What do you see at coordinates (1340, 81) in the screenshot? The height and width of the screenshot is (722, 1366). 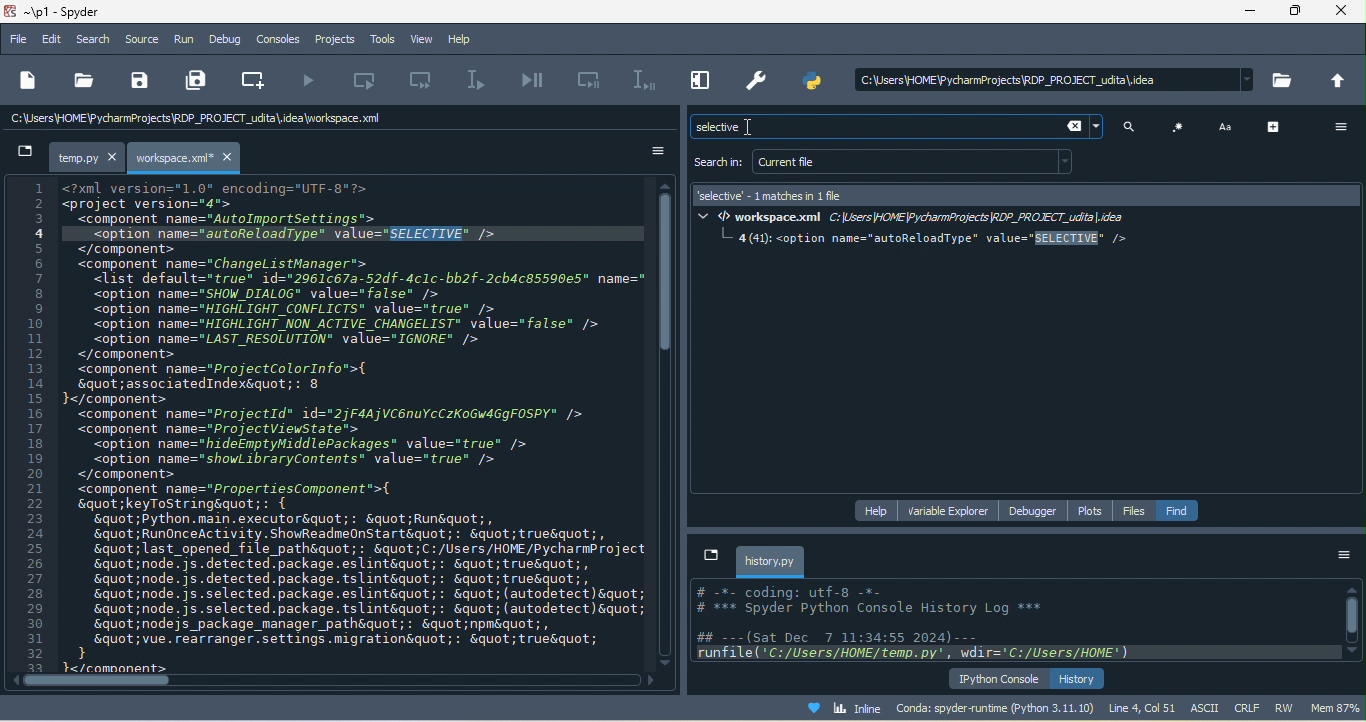 I see `change to current directory` at bounding box center [1340, 81].